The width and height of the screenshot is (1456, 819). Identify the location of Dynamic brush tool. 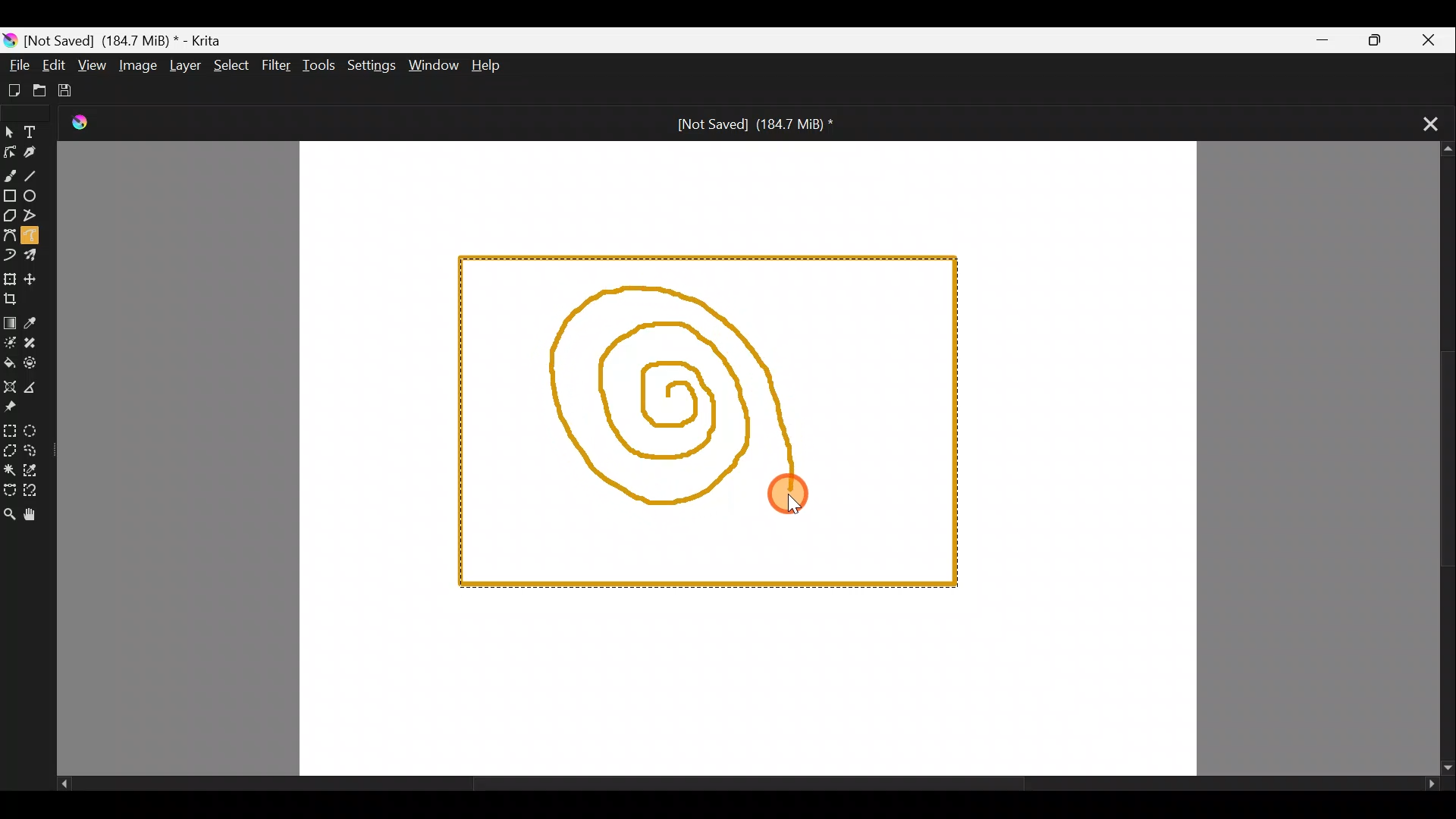
(10, 256).